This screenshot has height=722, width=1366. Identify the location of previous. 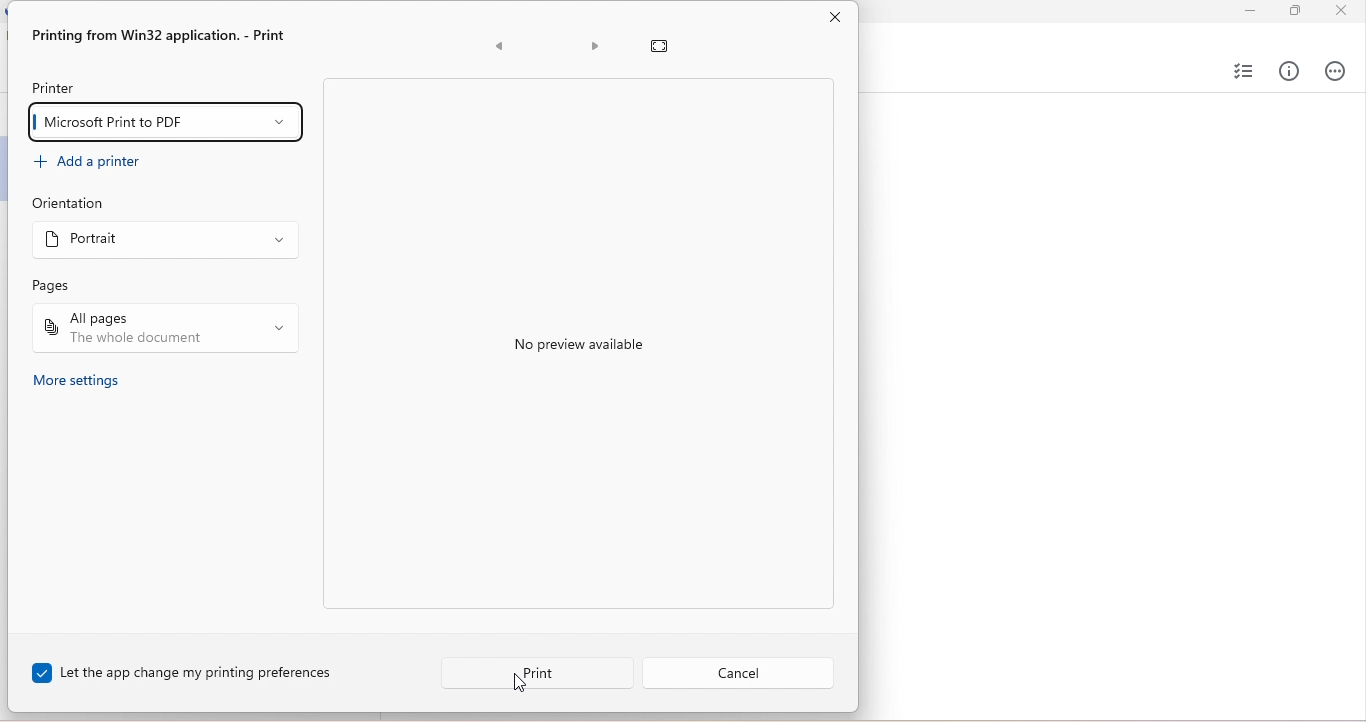
(498, 46).